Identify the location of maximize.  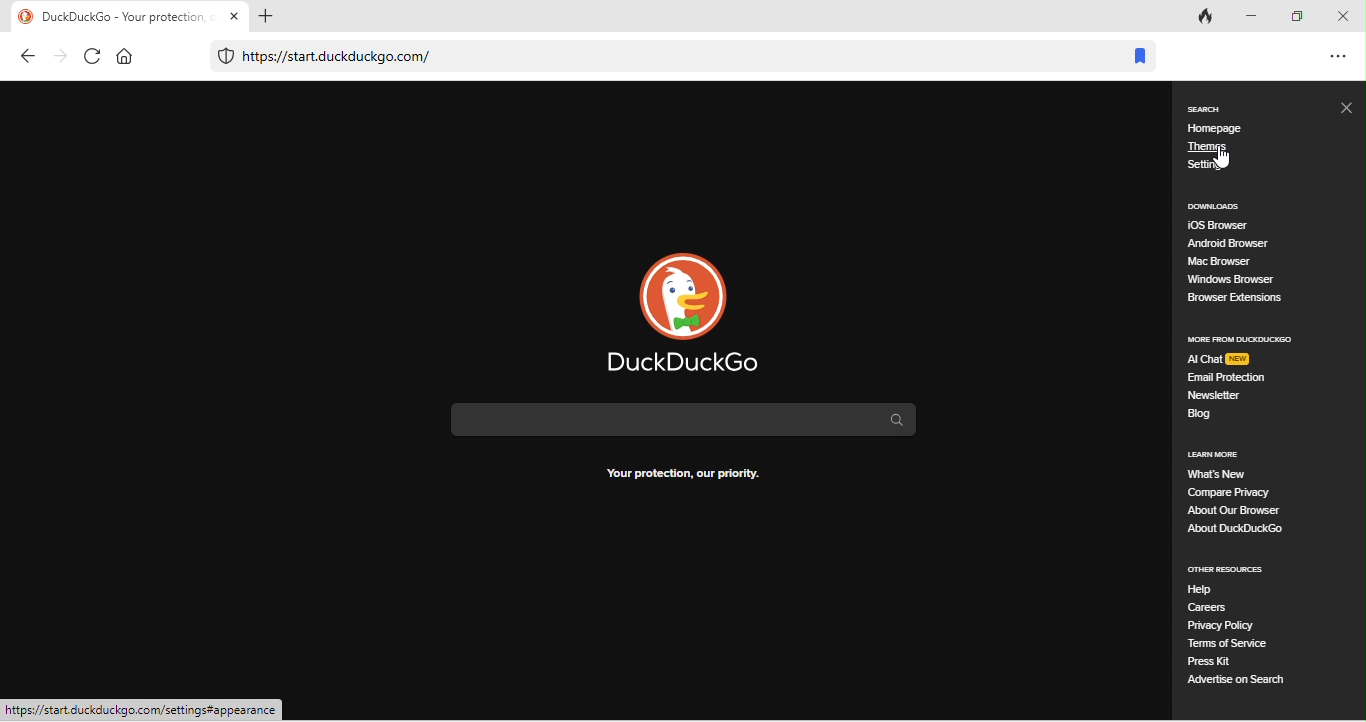
(1301, 17).